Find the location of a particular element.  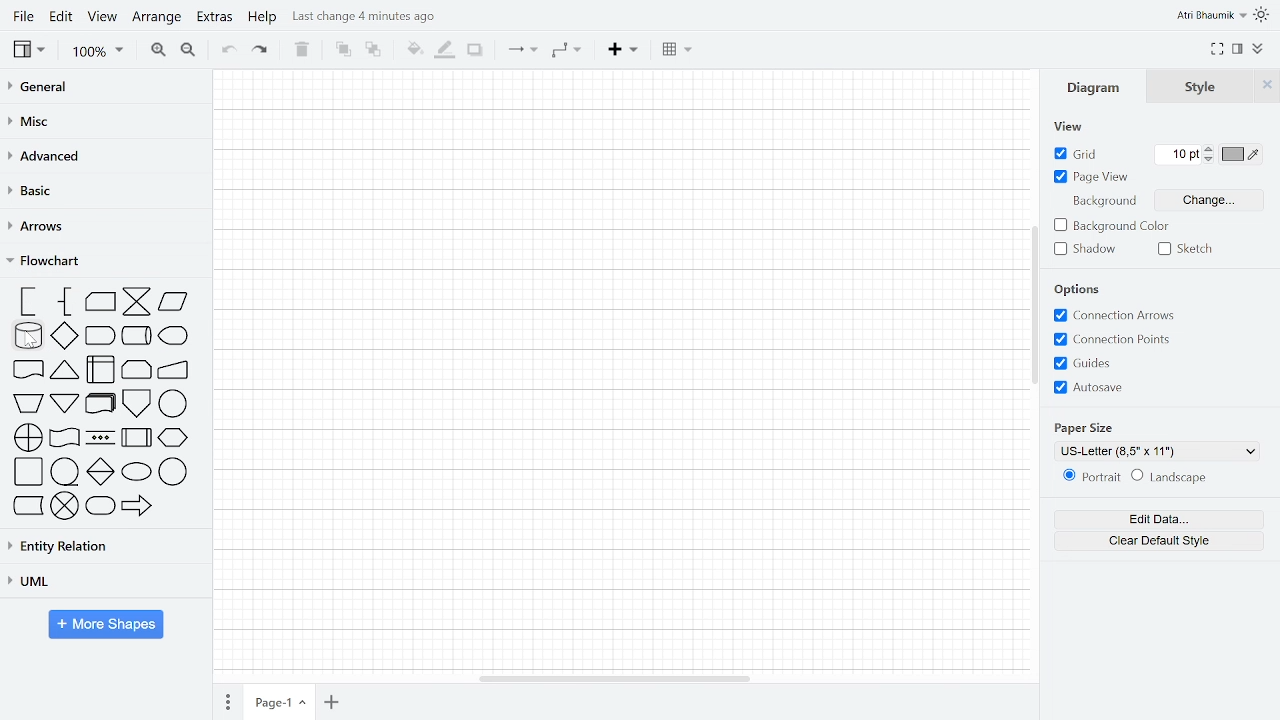

Delete is located at coordinates (303, 51).